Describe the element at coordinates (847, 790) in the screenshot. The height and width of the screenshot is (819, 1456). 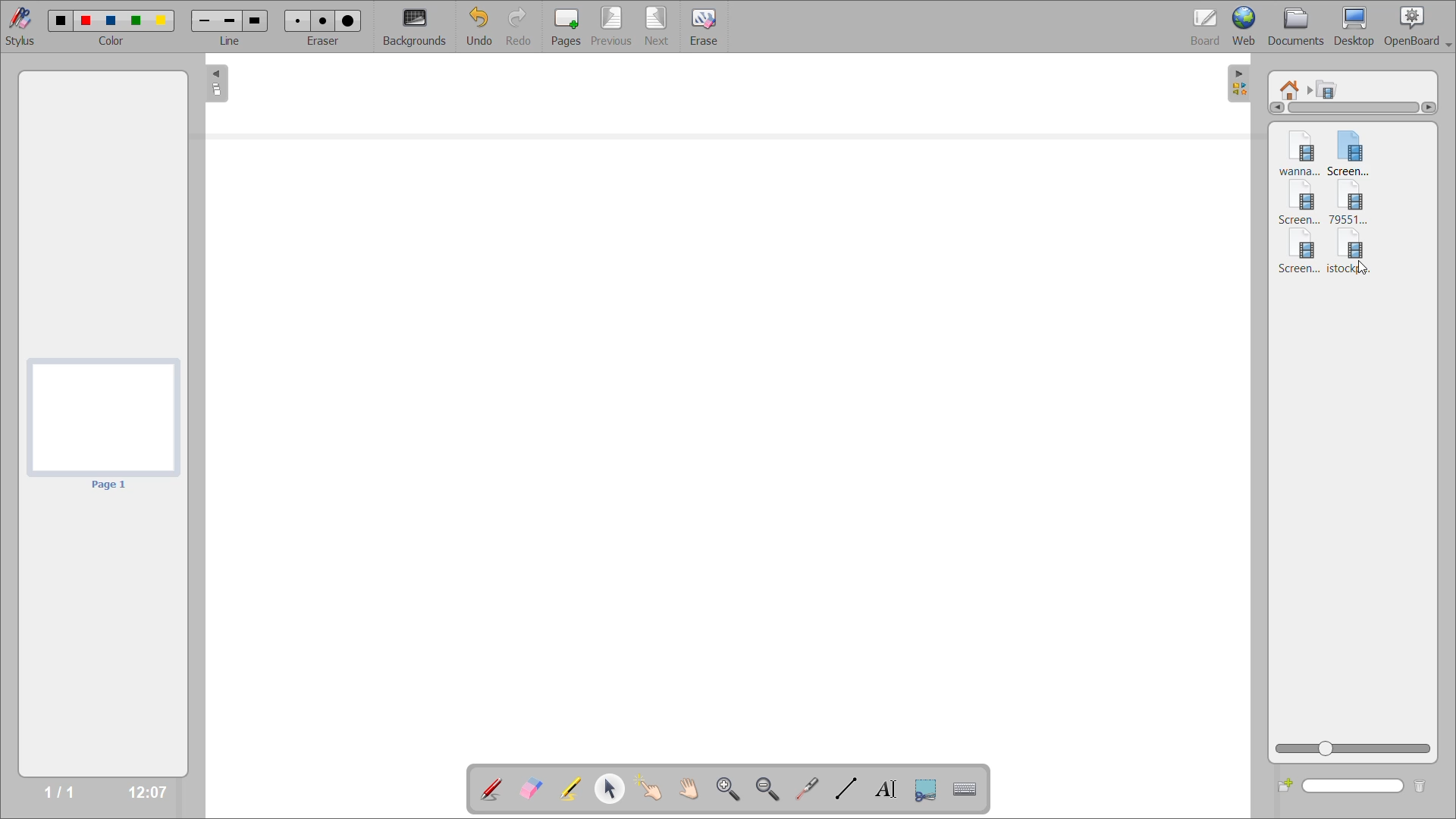
I see `draw lines` at that location.